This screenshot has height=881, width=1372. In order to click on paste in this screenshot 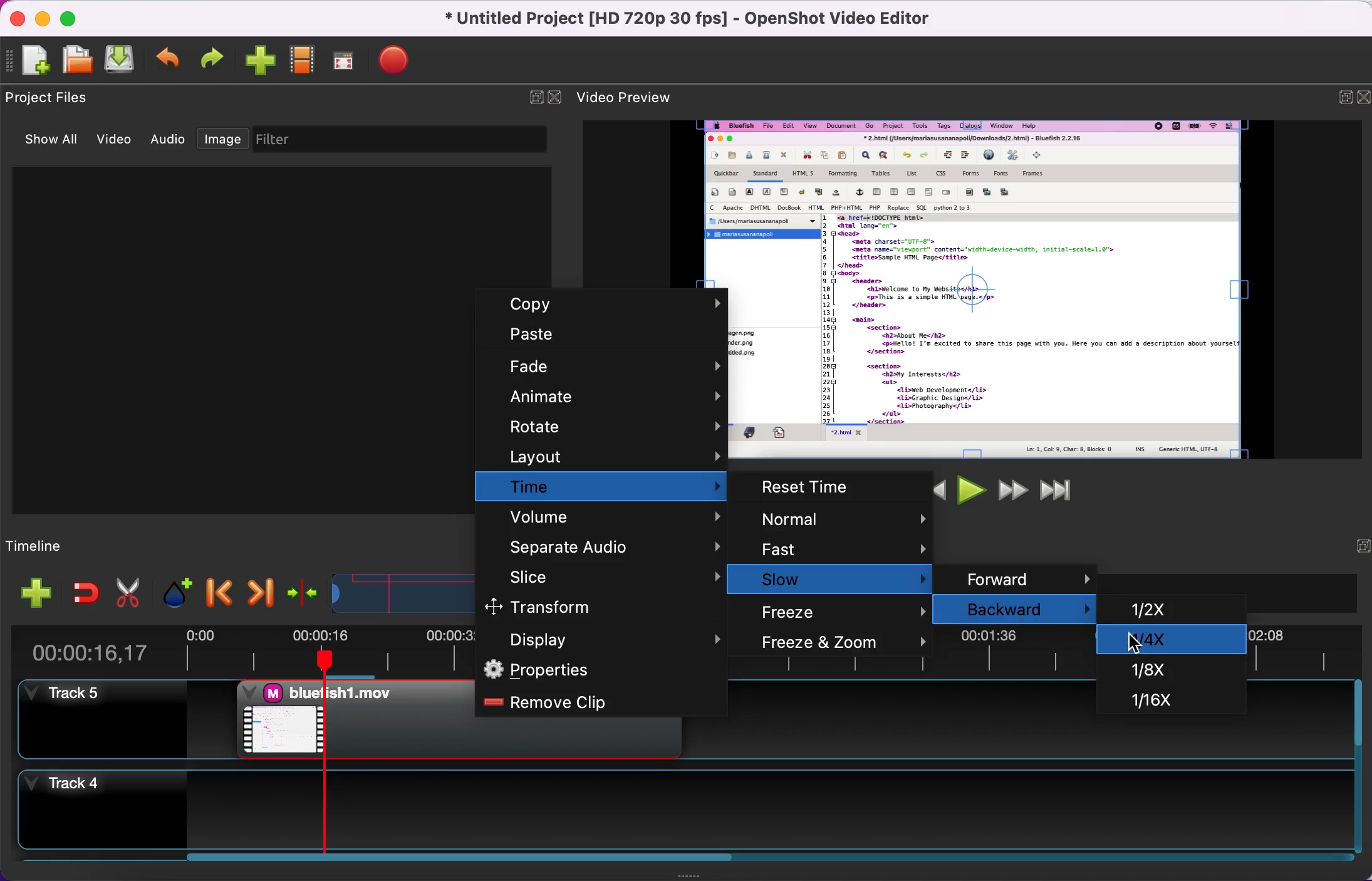, I will do `click(603, 334)`.